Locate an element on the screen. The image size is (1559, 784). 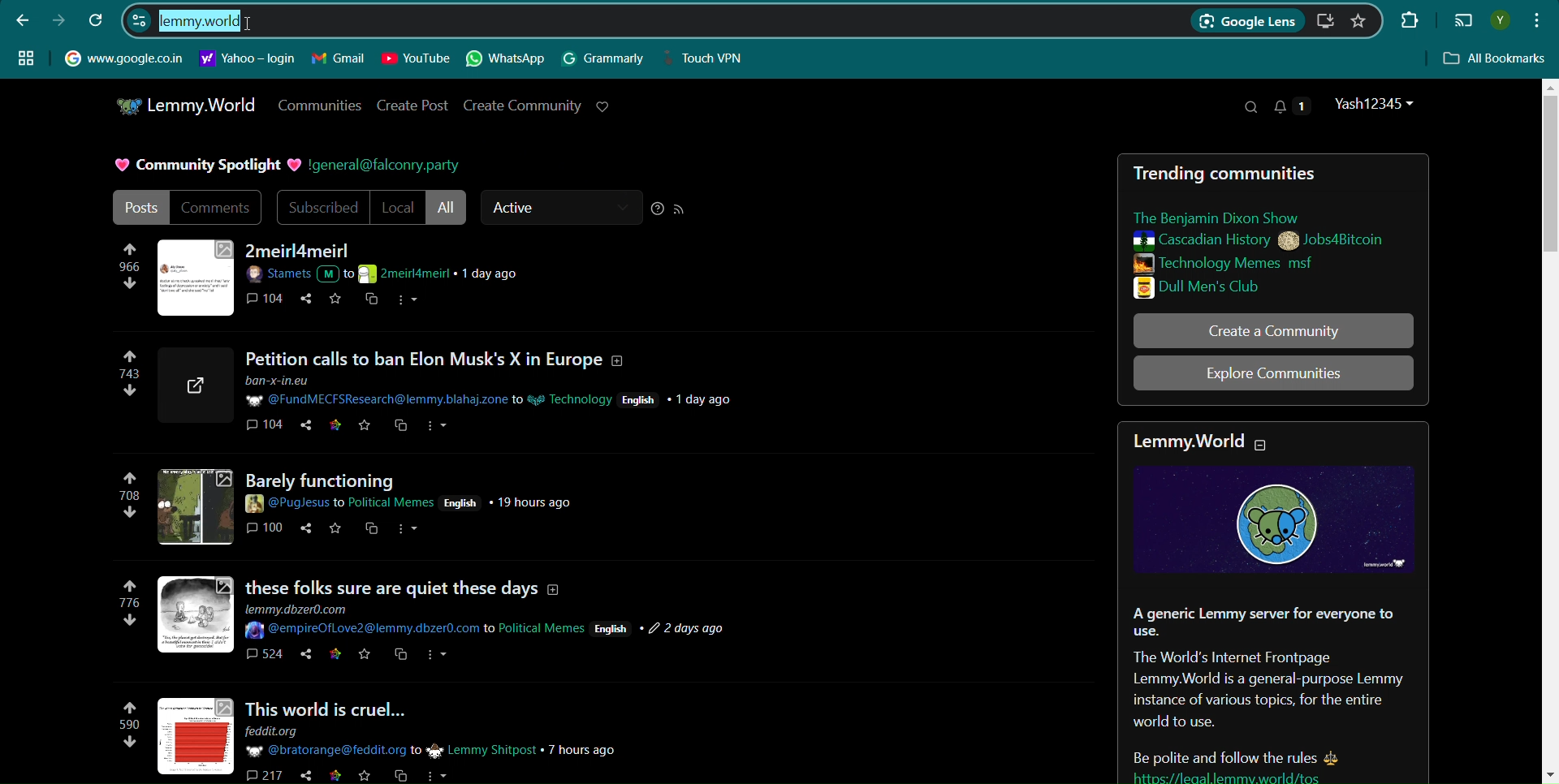
Search is located at coordinates (1250, 107).